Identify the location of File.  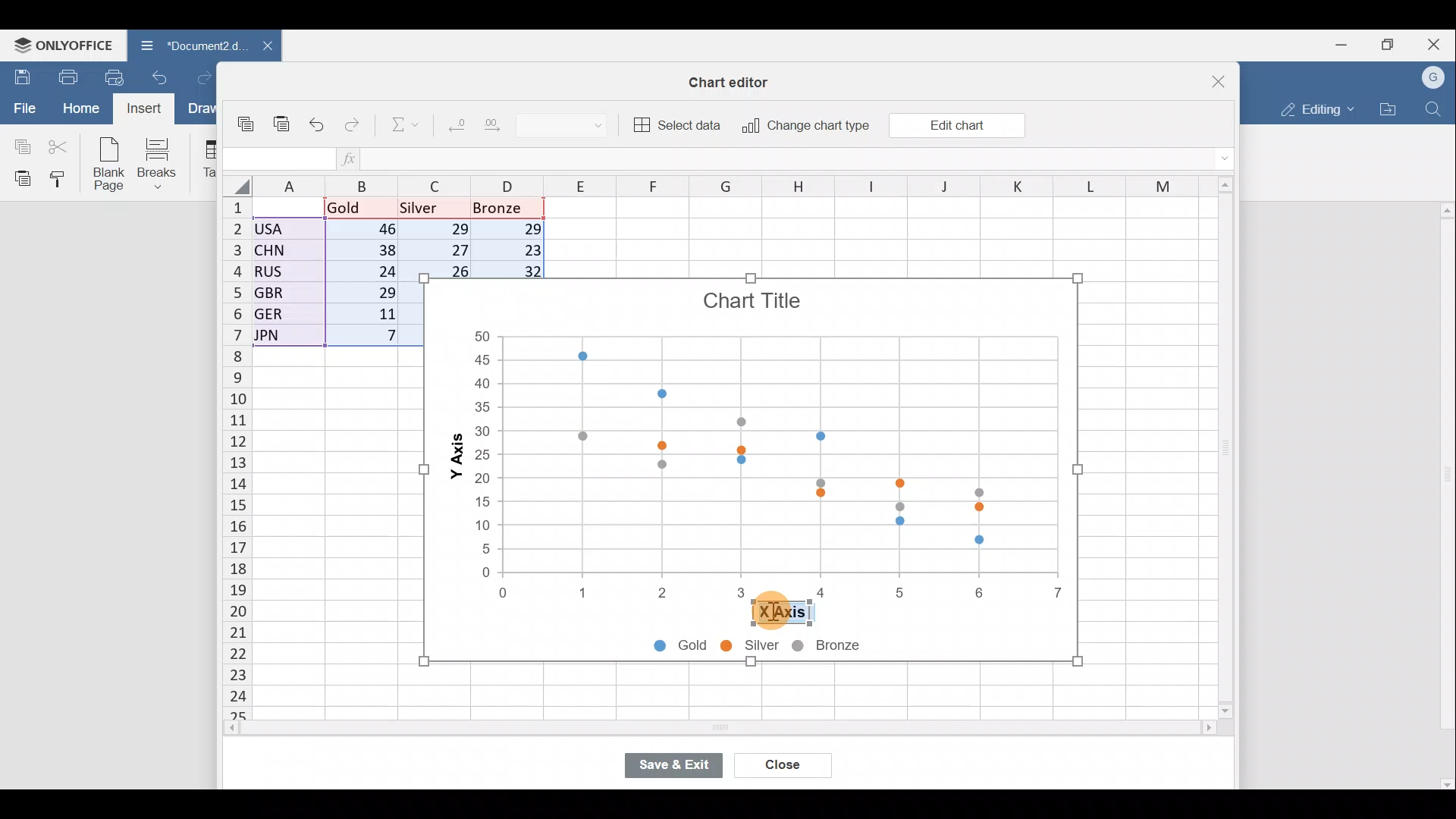
(22, 108).